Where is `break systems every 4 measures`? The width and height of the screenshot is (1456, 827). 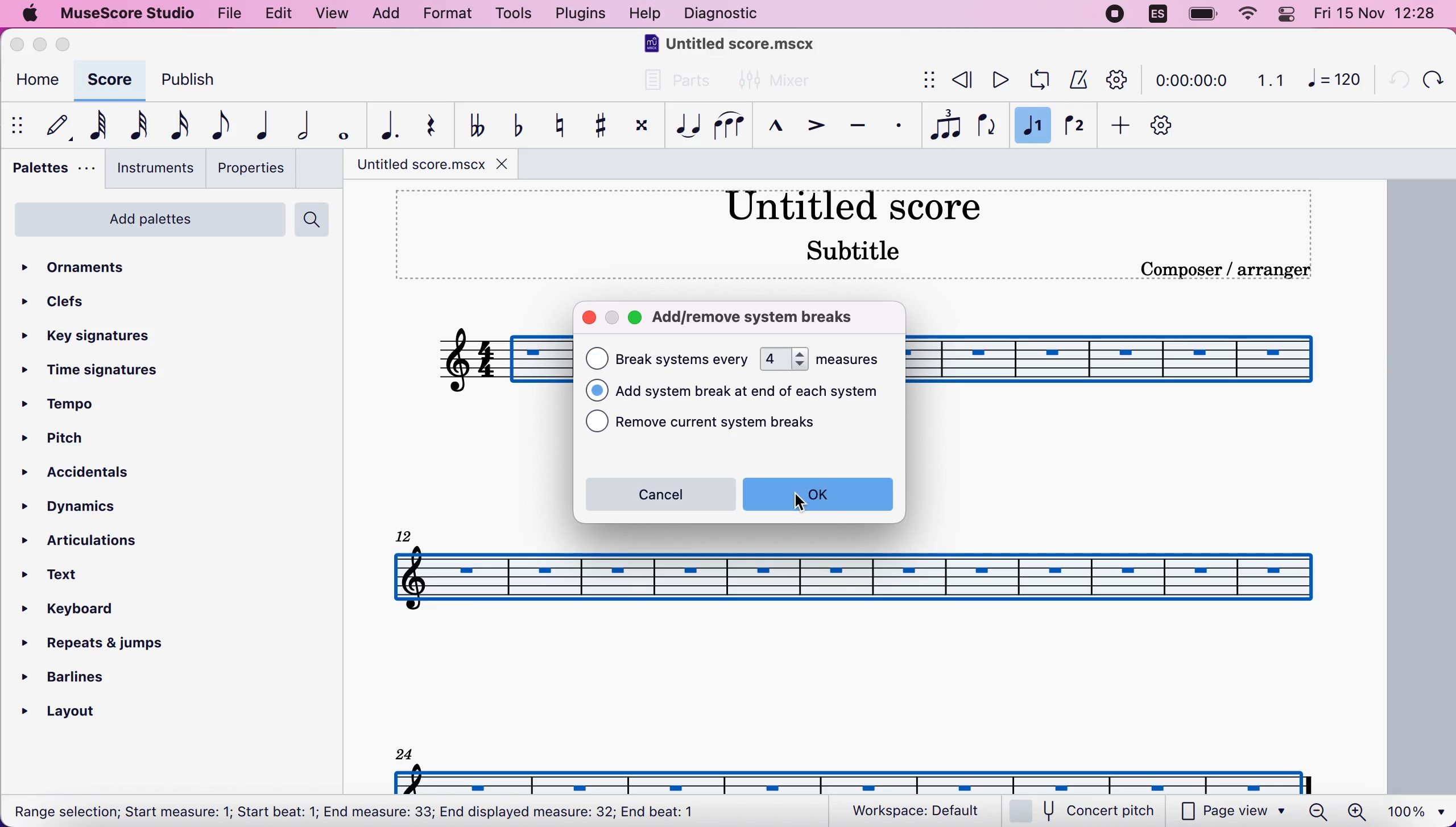 break systems every 4 measures is located at coordinates (849, 358).